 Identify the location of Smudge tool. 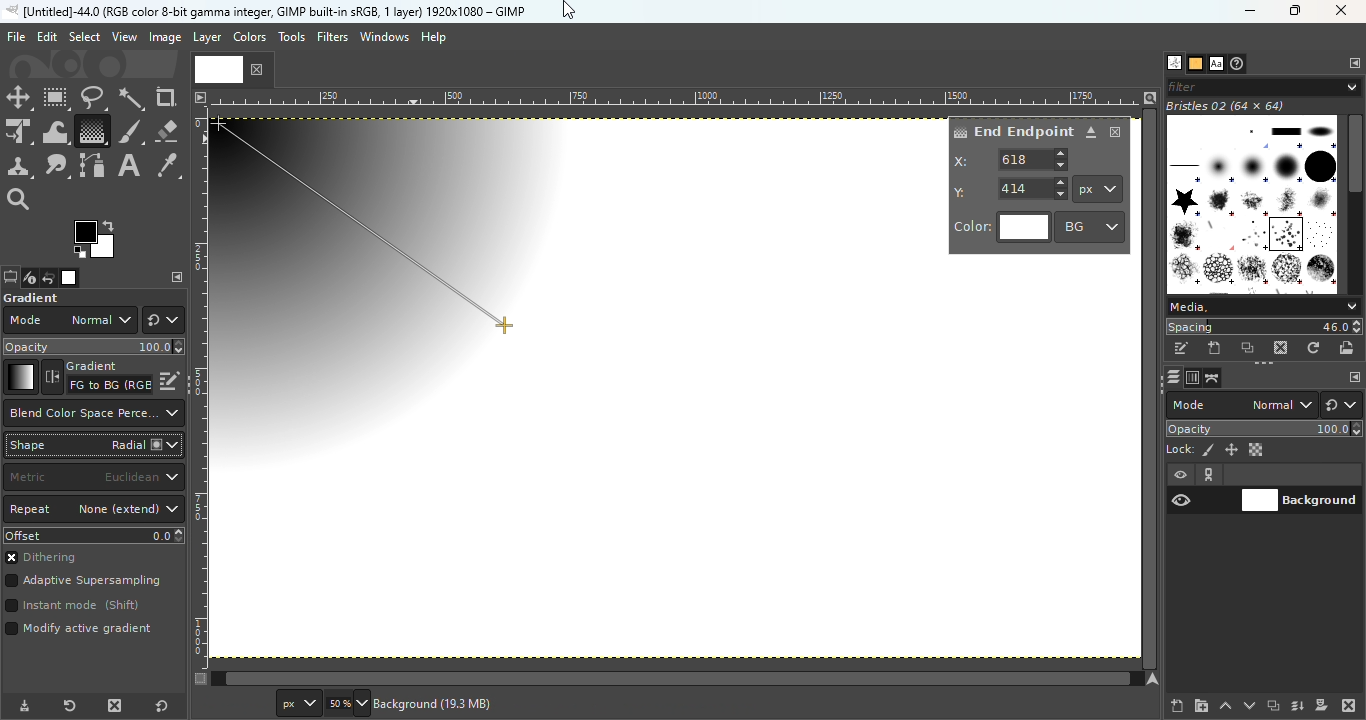
(57, 166).